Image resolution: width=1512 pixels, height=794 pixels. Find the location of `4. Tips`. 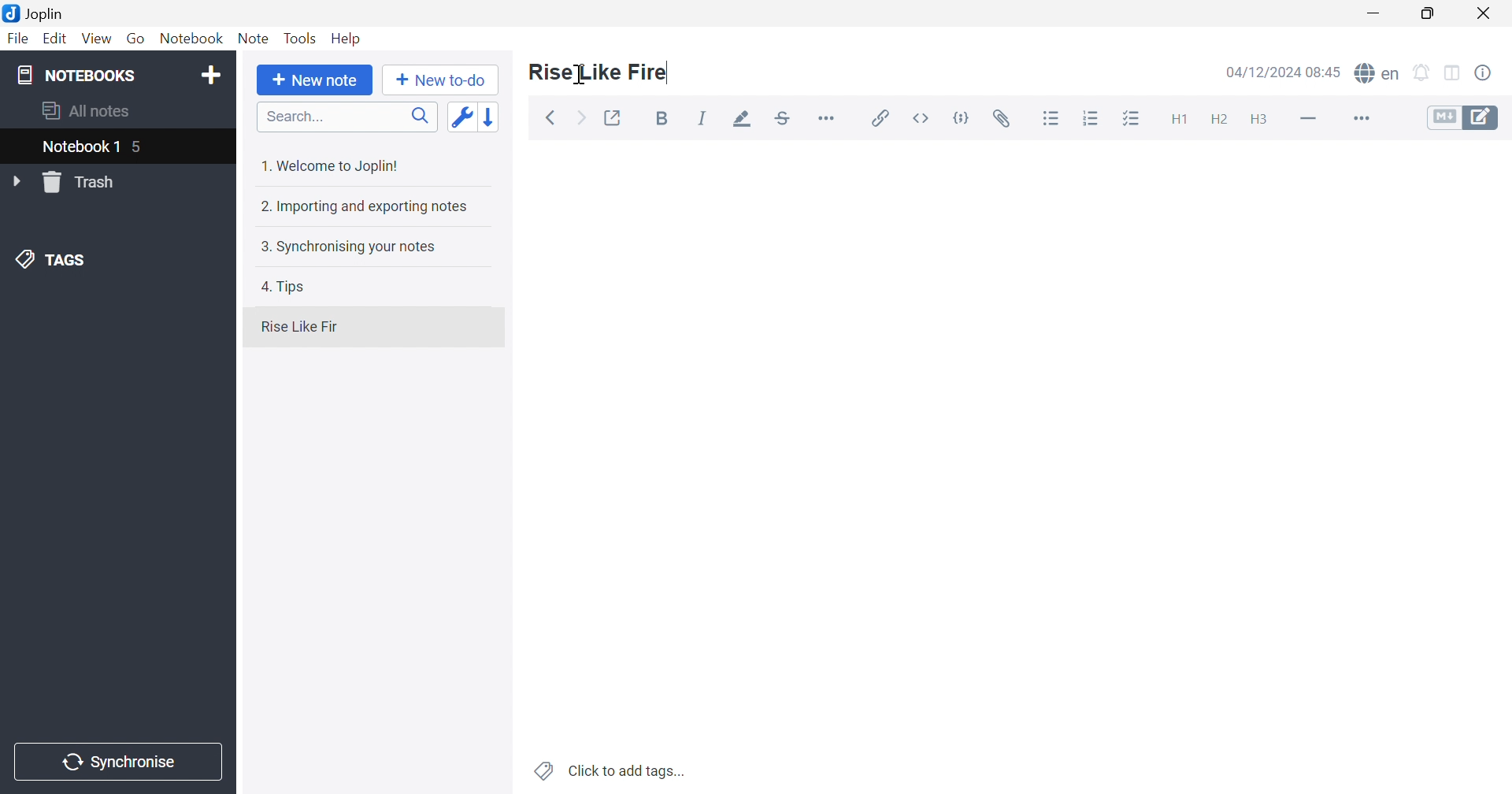

4. Tips is located at coordinates (283, 288).